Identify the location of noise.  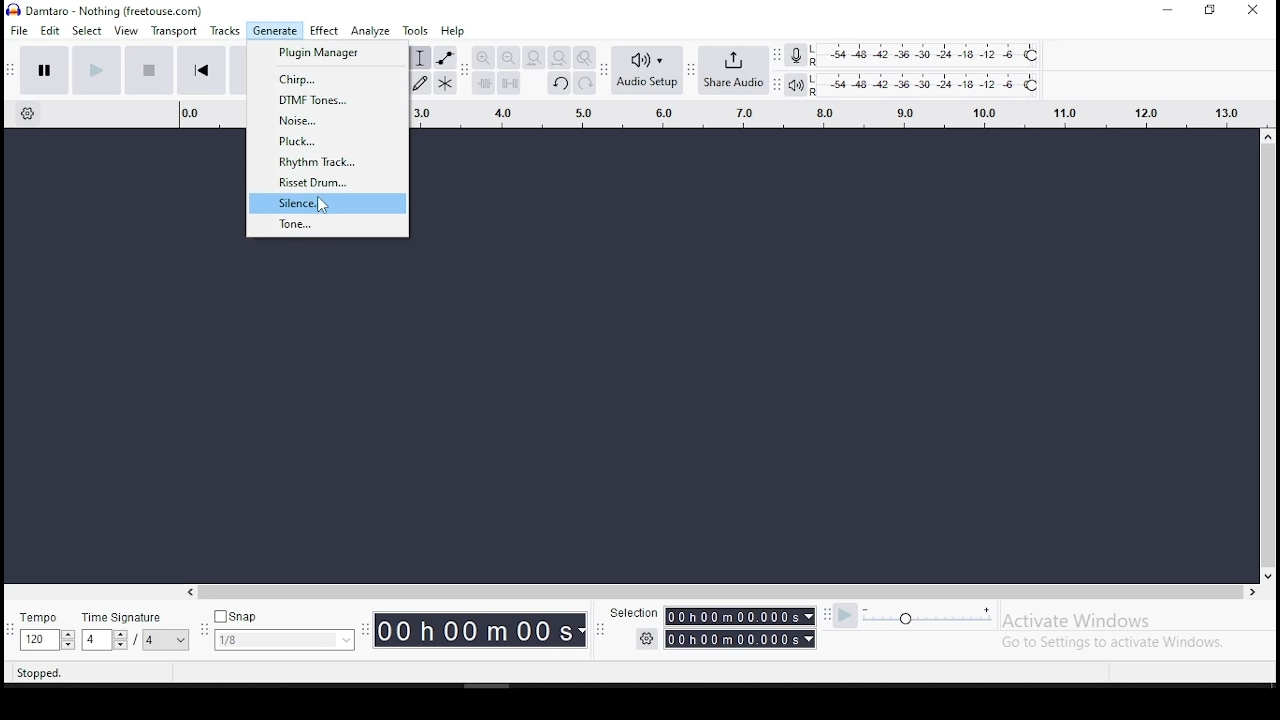
(330, 120).